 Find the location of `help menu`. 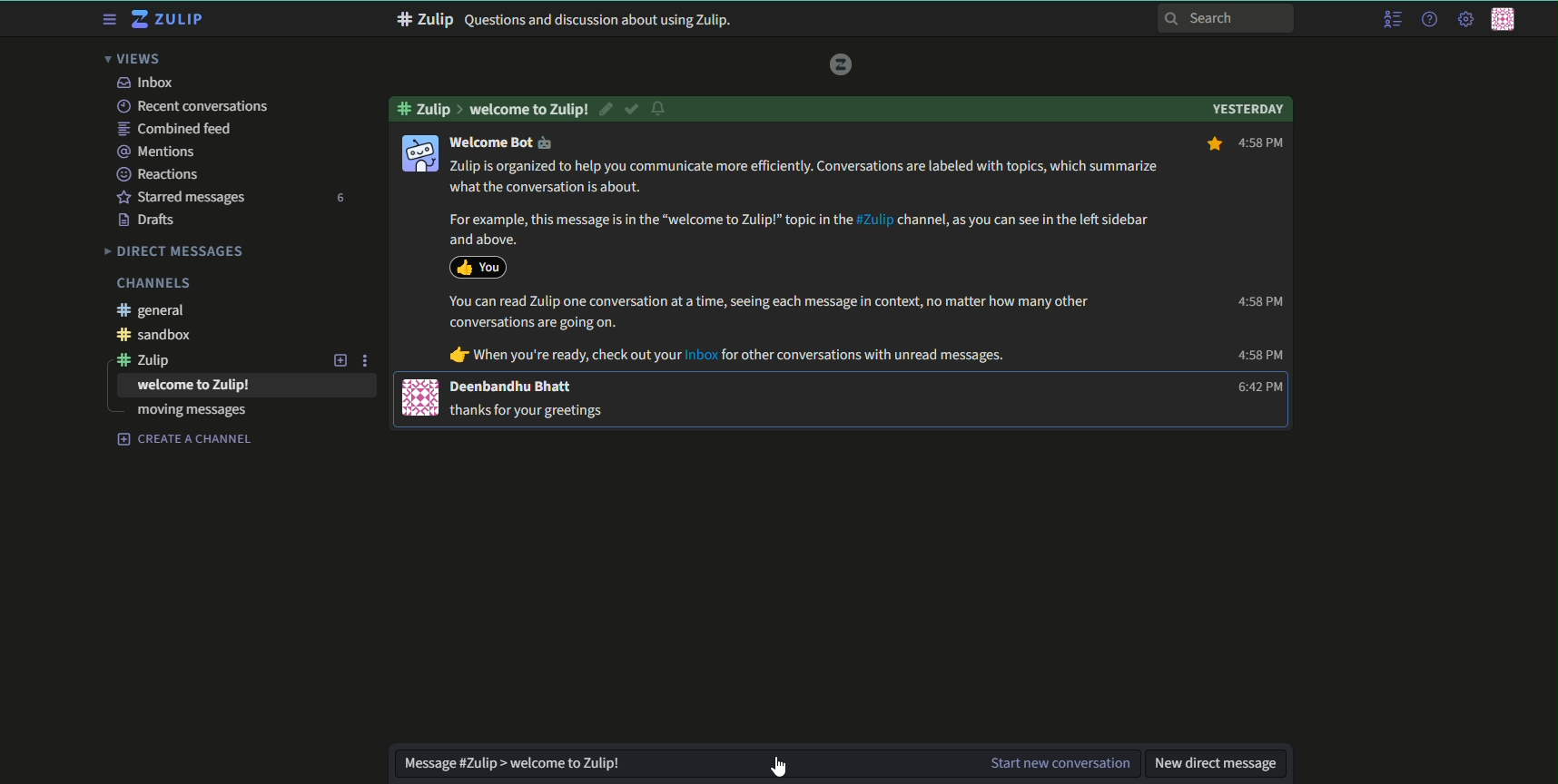

help menu is located at coordinates (1427, 20).